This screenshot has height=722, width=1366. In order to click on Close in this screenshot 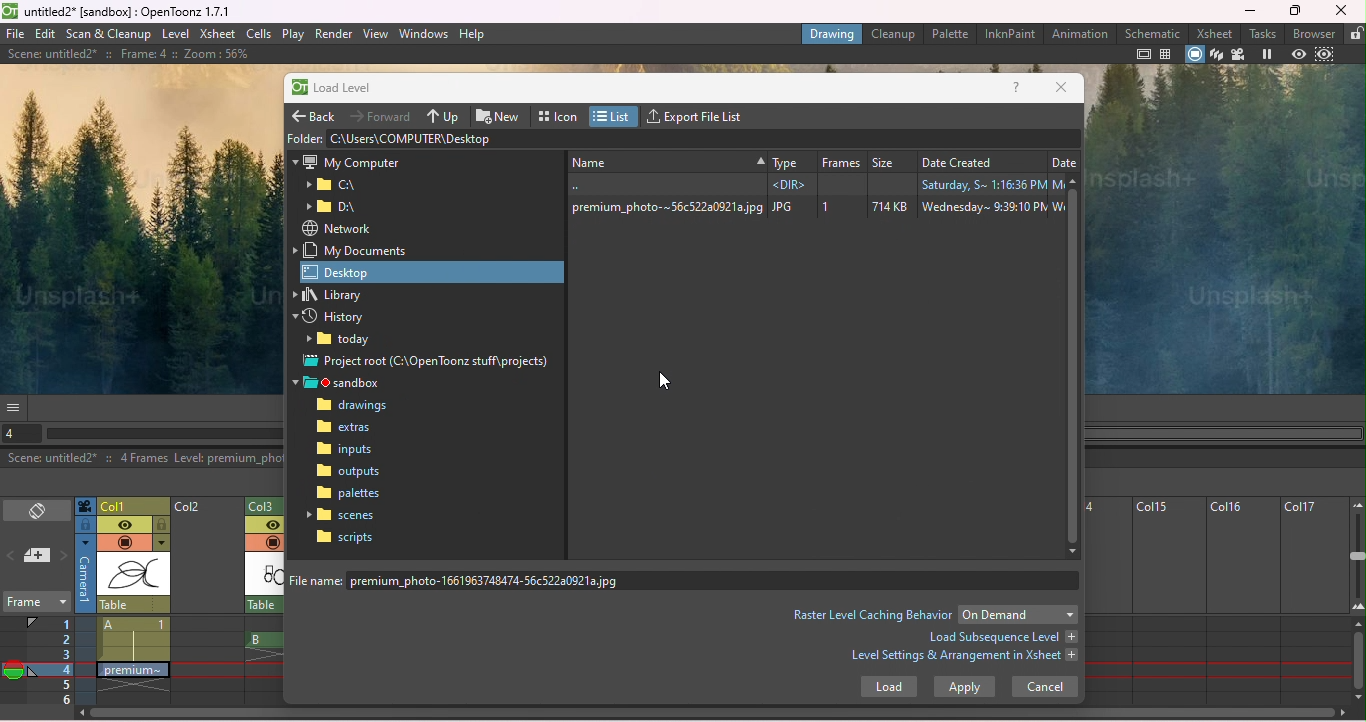, I will do `click(1061, 88)`.